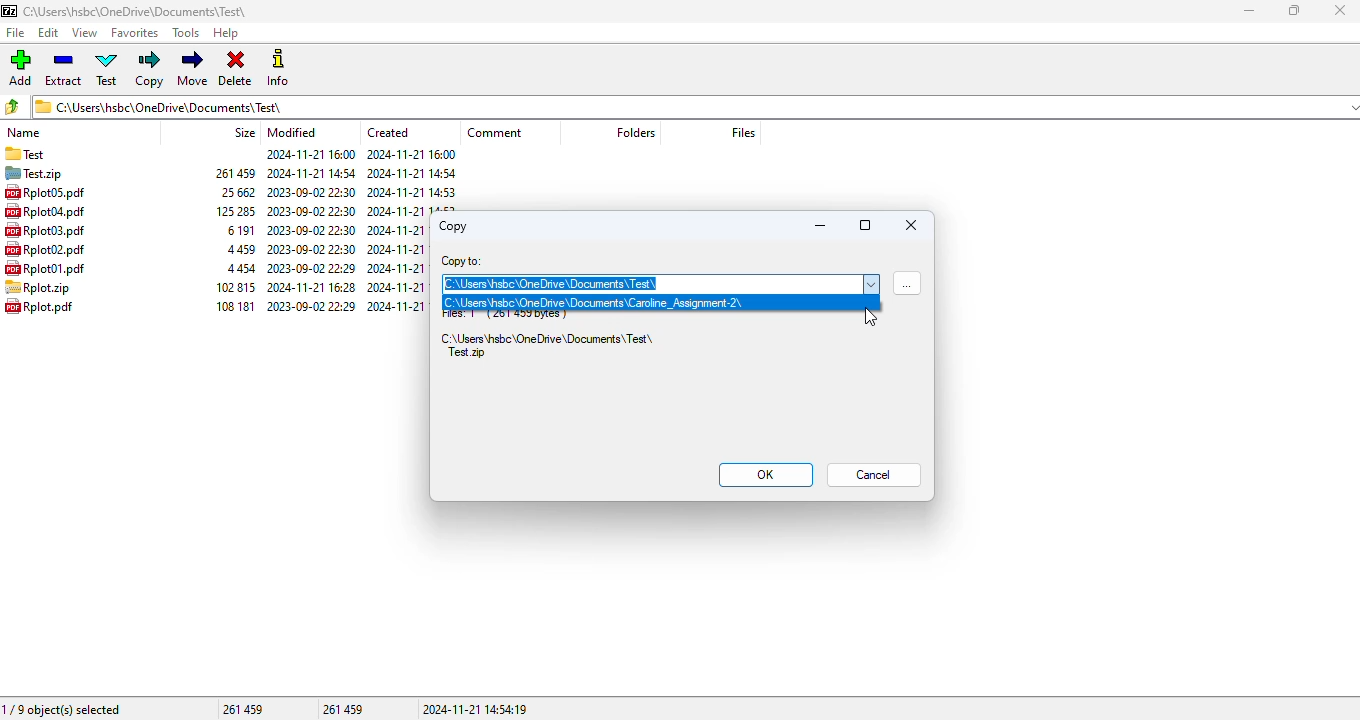  I want to click on cursor, so click(871, 316).